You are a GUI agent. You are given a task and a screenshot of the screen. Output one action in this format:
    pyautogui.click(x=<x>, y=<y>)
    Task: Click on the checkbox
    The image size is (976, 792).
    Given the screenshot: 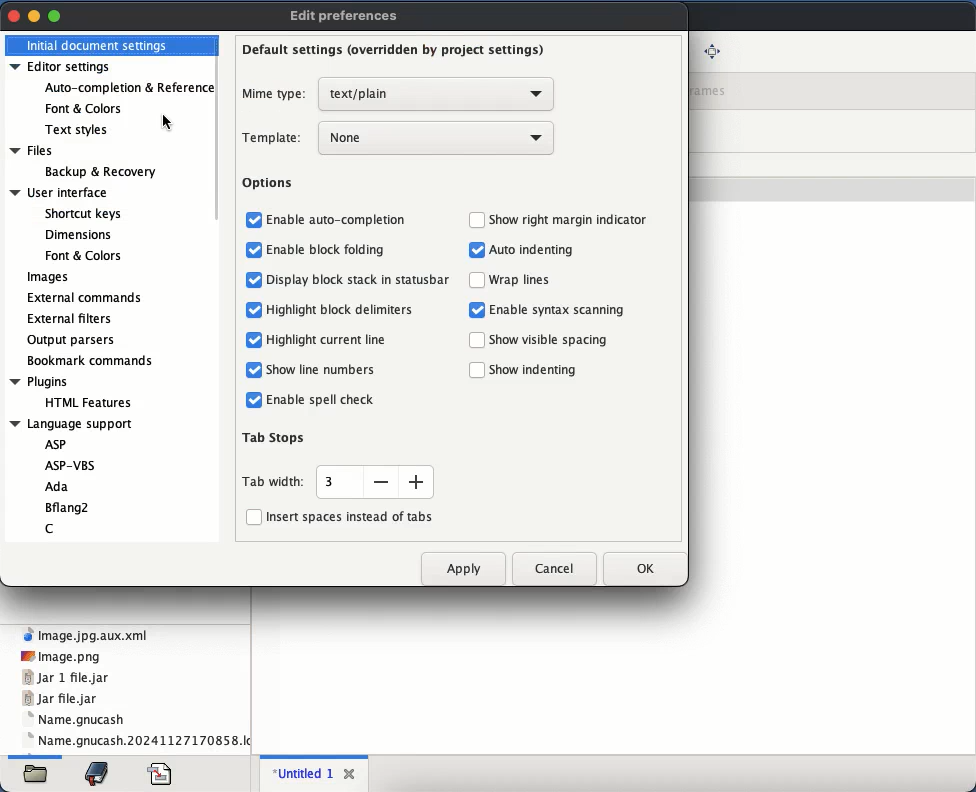 What is the action you would take?
    pyautogui.click(x=253, y=219)
    